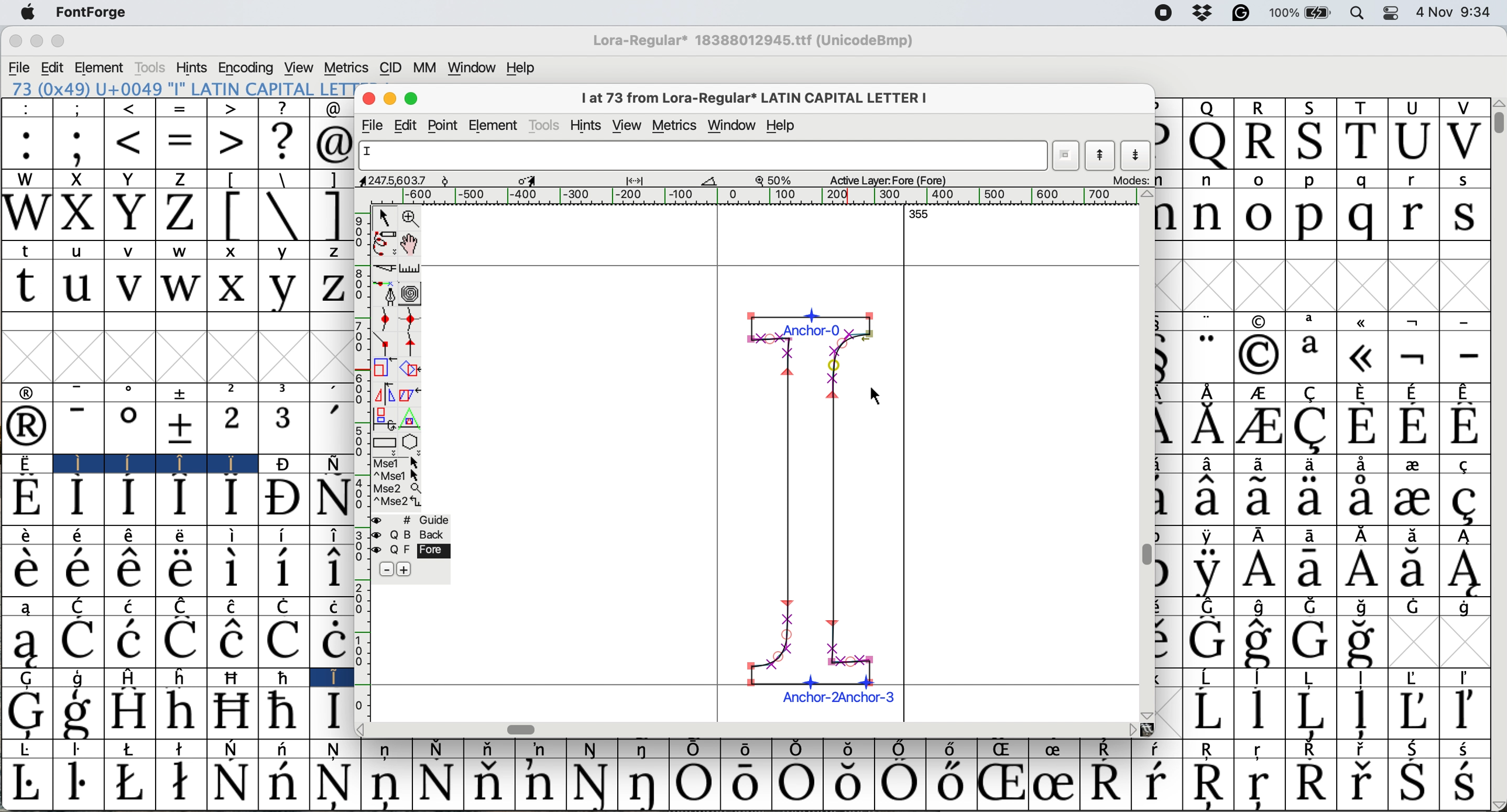  Describe the element at coordinates (284, 535) in the screenshot. I see `Symbol` at that location.